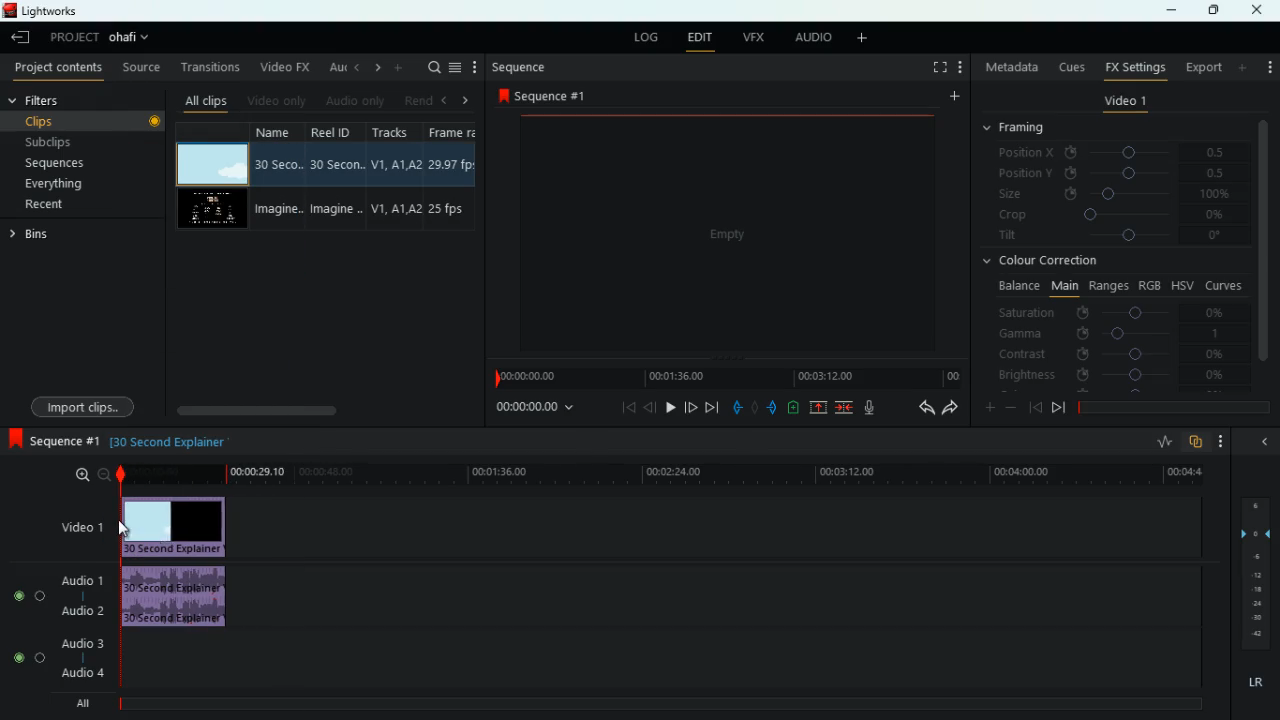  I want to click on close, so click(1261, 10).